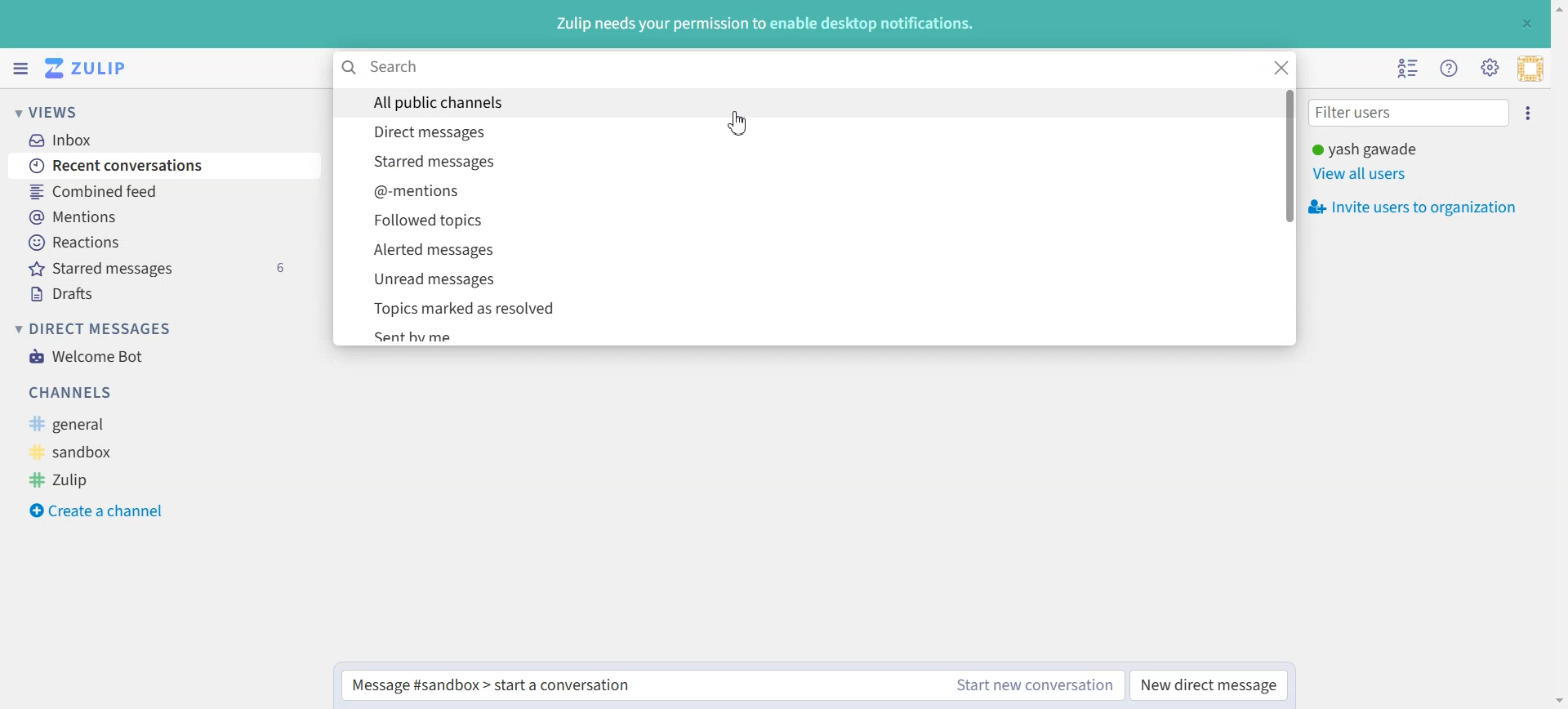 The image size is (1568, 709). I want to click on Search, so click(800, 68).